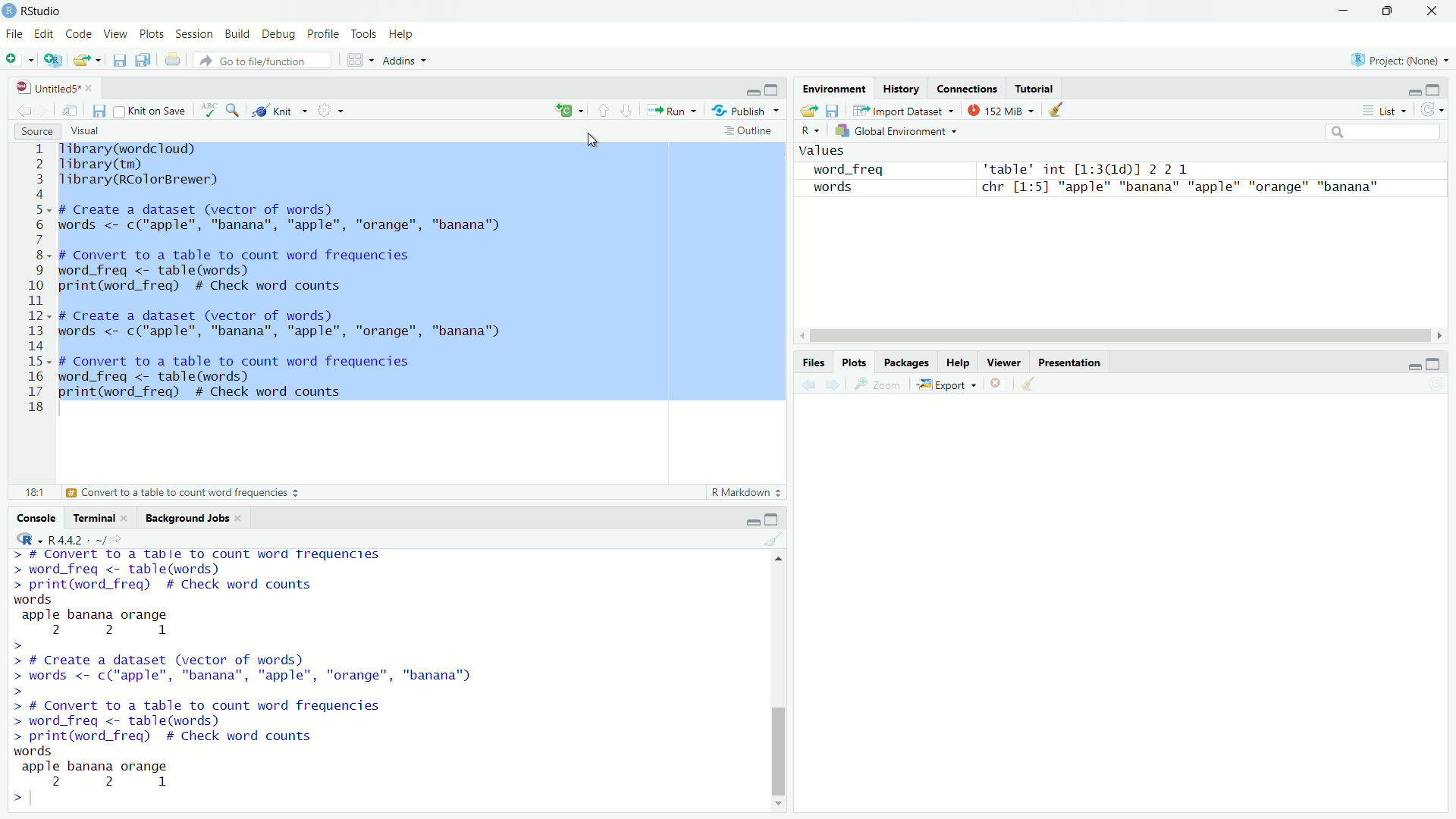 The height and width of the screenshot is (819, 1456). What do you see at coordinates (810, 111) in the screenshot?
I see `Load Workspace` at bounding box center [810, 111].